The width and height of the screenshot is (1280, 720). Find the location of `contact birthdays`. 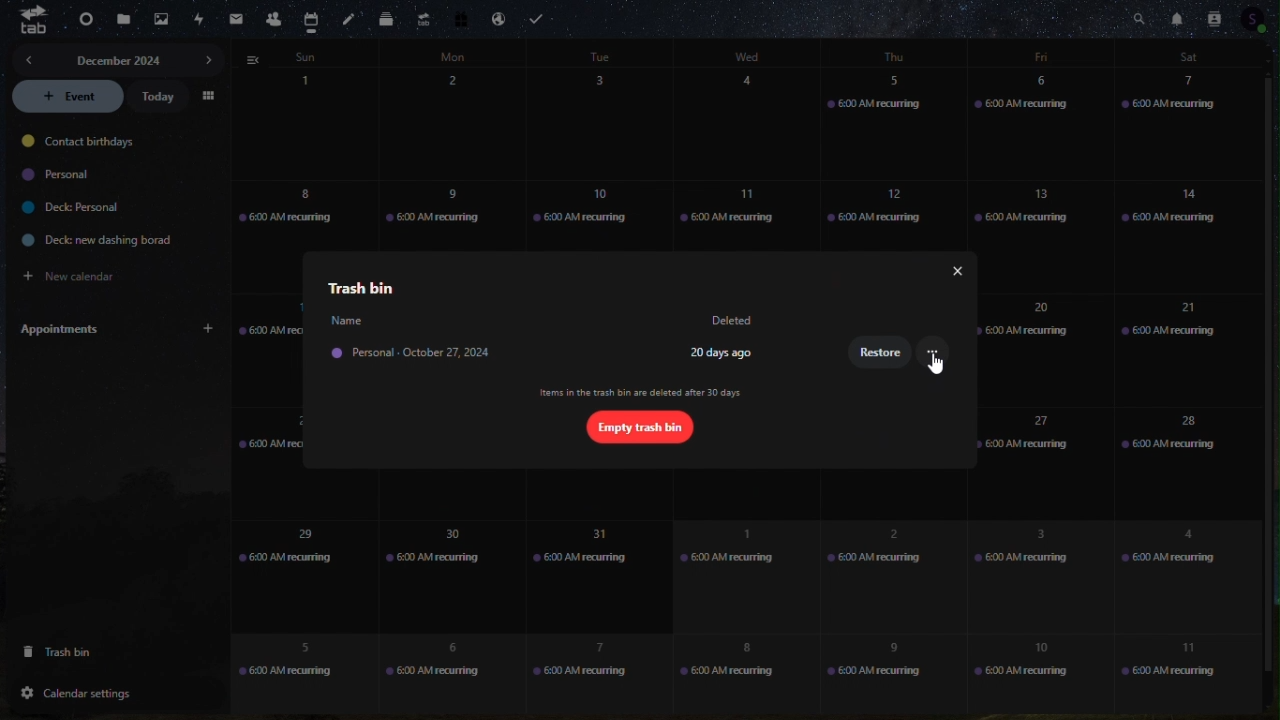

contact birthdays is located at coordinates (83, 143).